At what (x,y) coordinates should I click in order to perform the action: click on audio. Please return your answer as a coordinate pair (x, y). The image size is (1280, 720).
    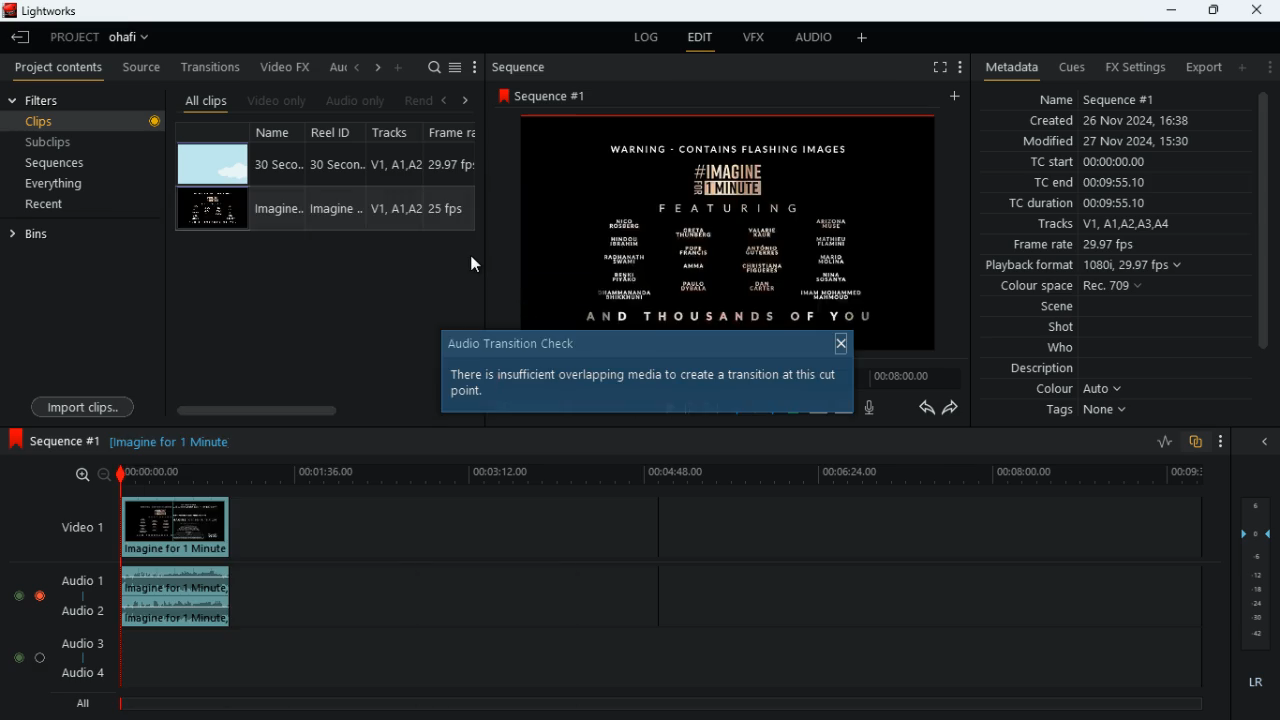
    Looking at the image, I should click on (809, 39).